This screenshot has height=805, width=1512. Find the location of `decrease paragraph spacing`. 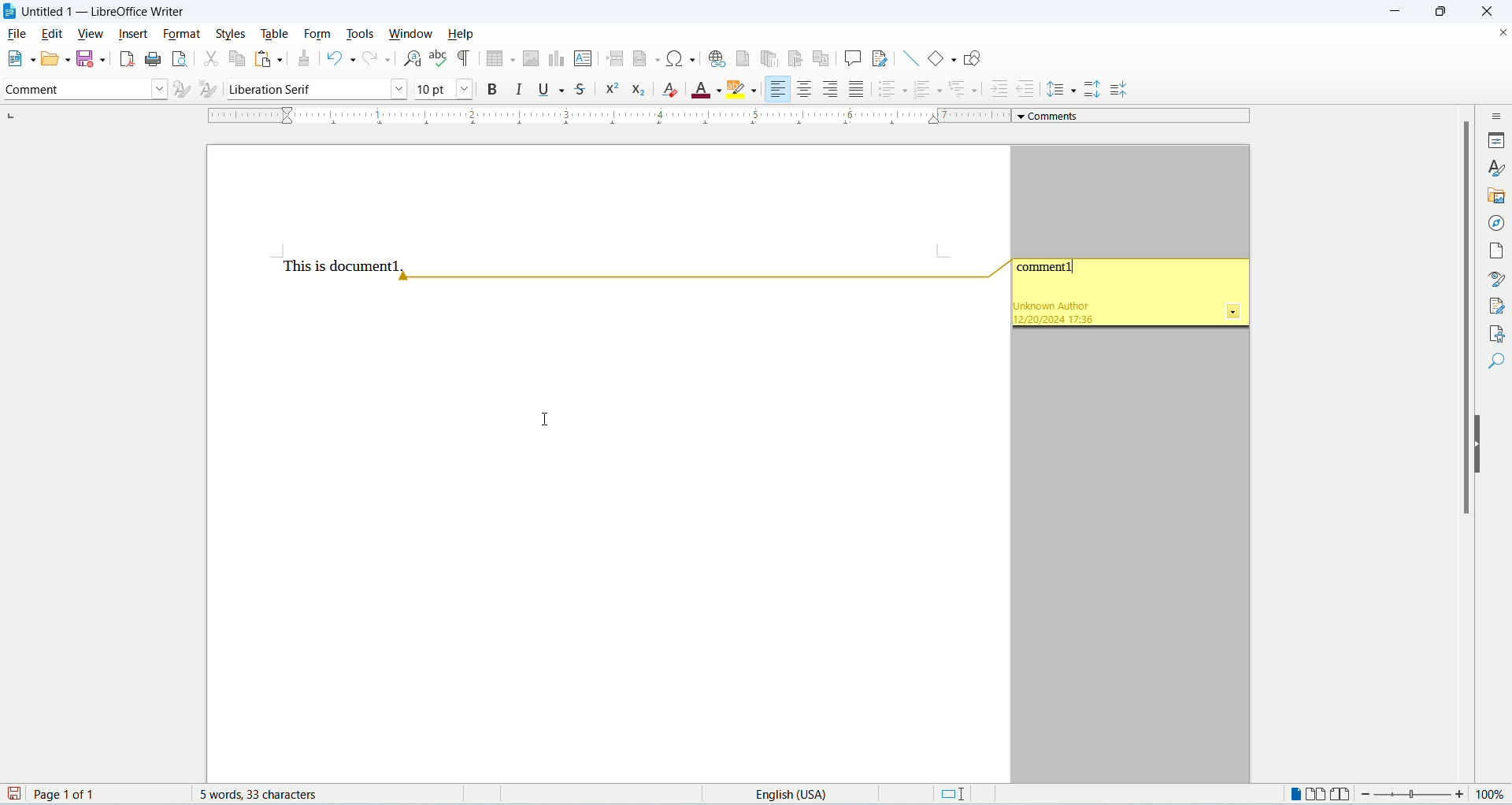

decrease paragraph spacing is located at coordinates (1118, 91).